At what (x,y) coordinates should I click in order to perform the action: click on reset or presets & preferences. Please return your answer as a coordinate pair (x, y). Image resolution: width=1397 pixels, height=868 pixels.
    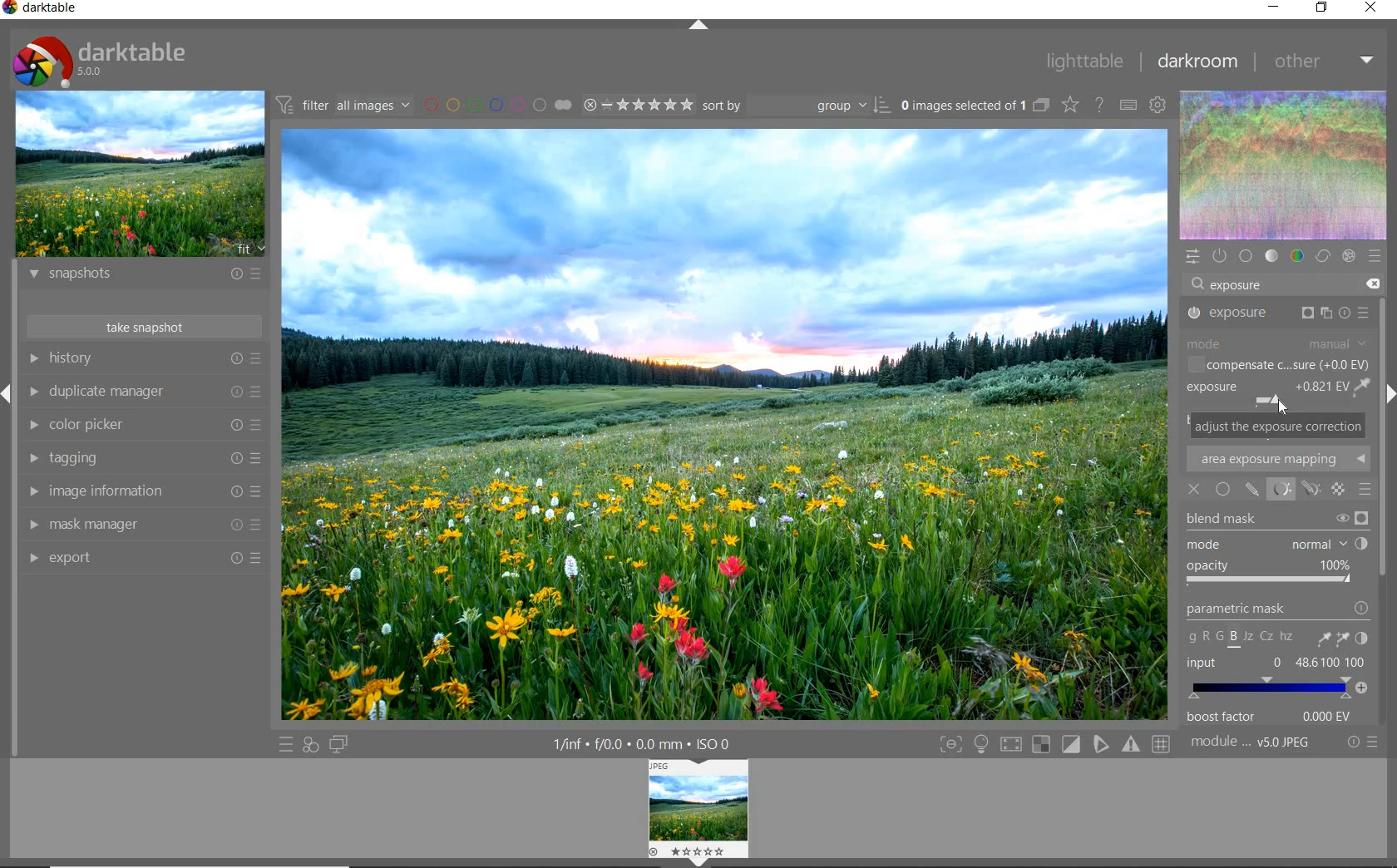
    Looking at the image, I should click on (1360, 745).